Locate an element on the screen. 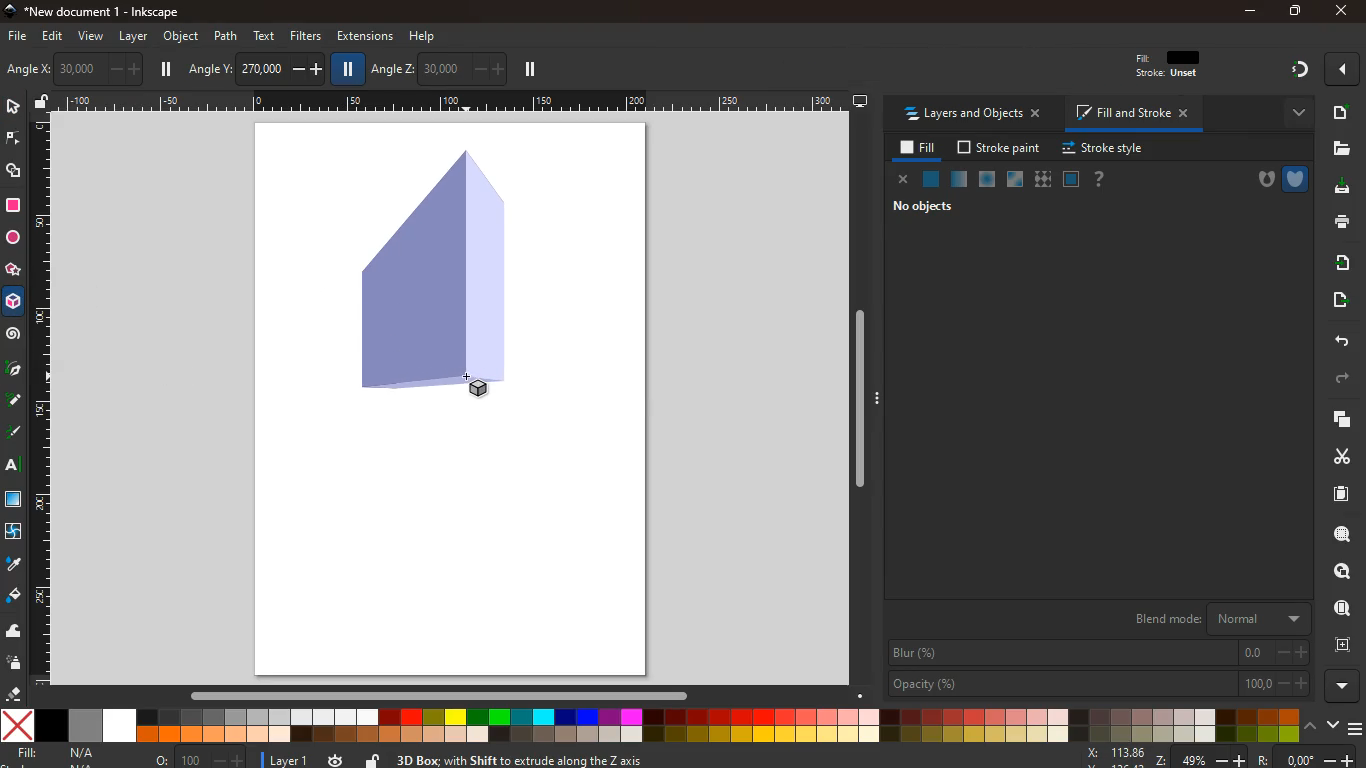 This screenshot has height=768, width=1366. close is located at coordinates (1339, 12).